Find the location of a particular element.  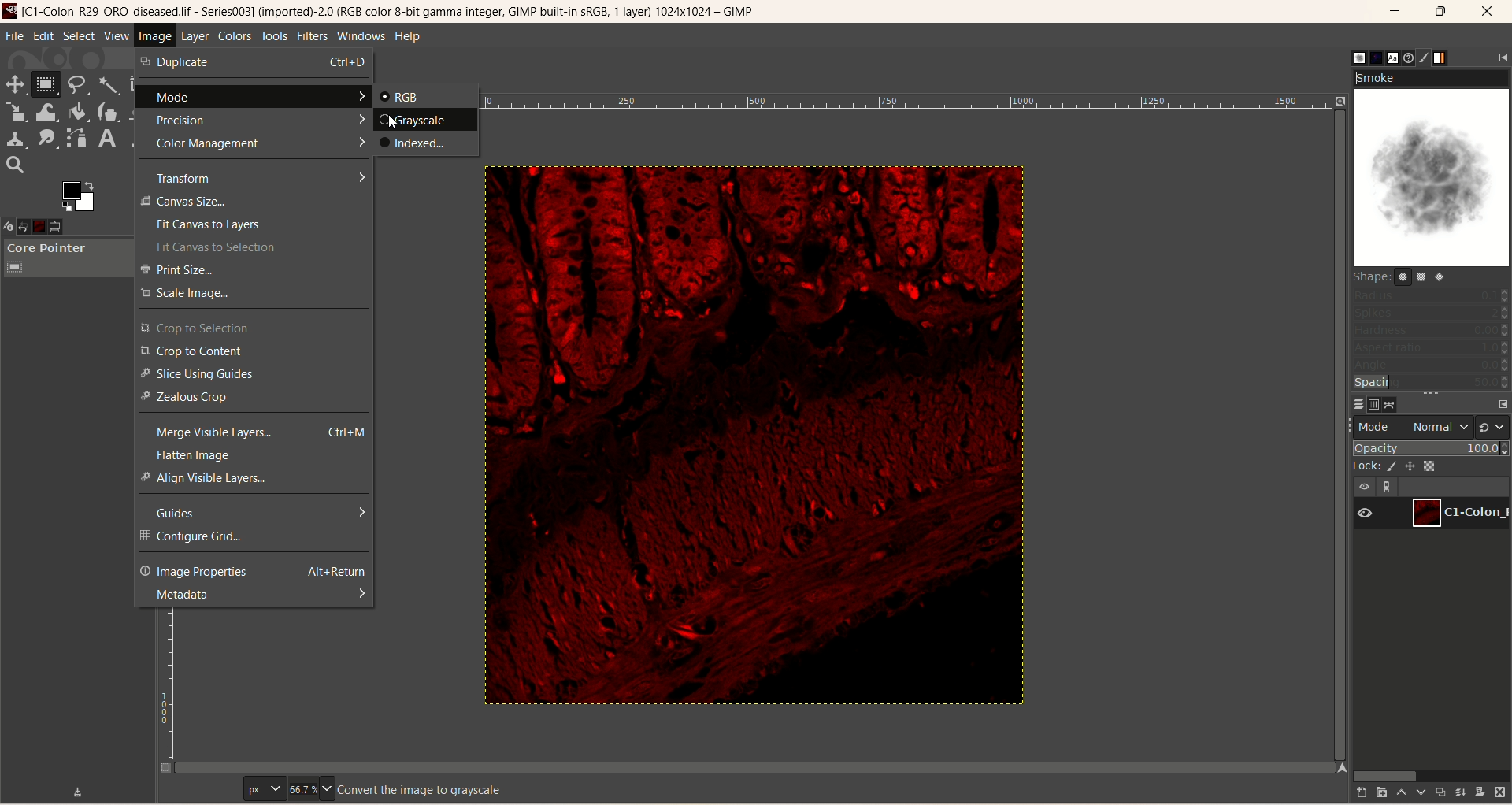

fuzzy select tool is located at coordinates (108, 82).